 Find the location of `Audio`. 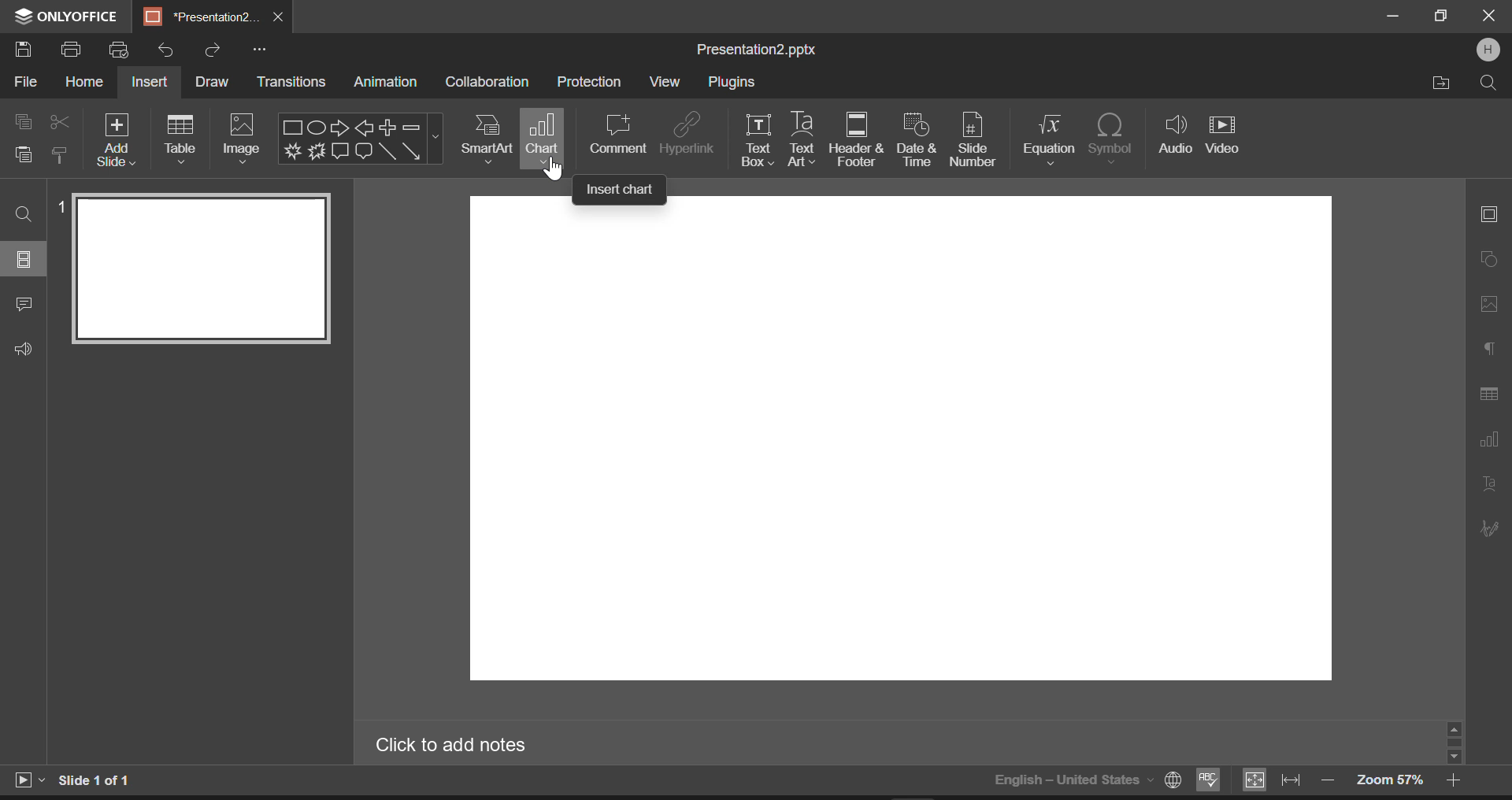

Audio is located at coordinates (1173, 133).